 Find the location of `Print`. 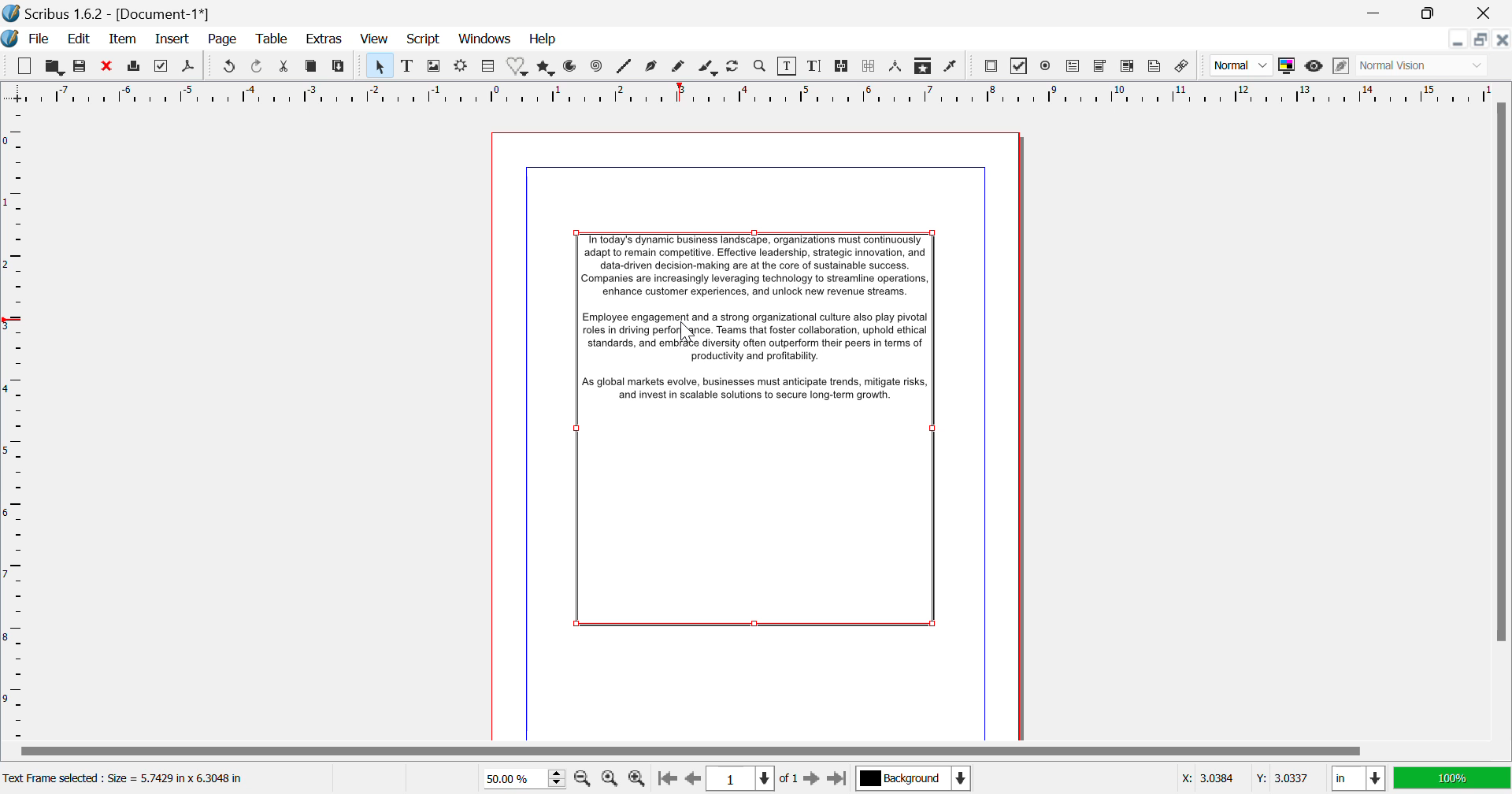

Print is located at coordinates (136, 67).